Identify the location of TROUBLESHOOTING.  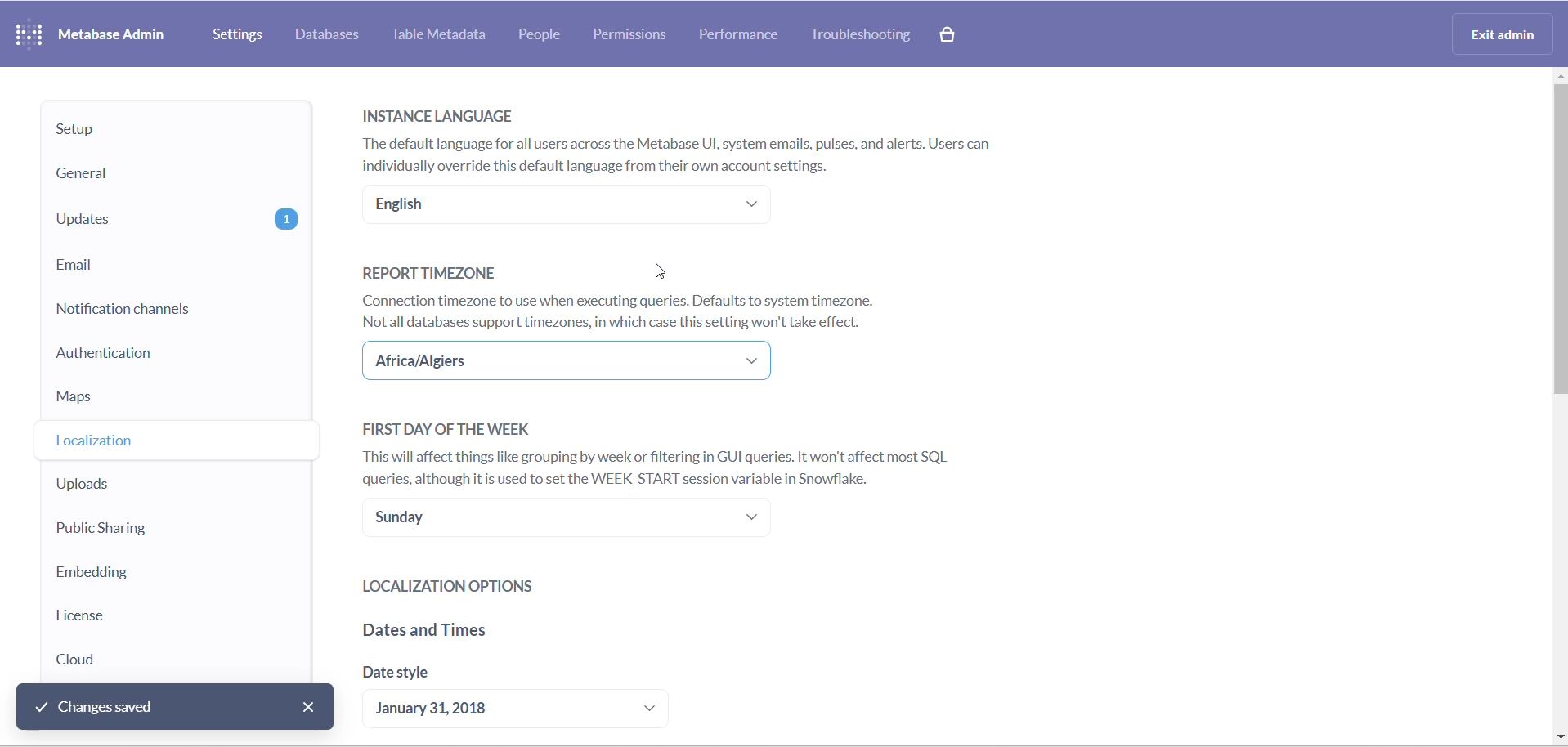
(864, 37).